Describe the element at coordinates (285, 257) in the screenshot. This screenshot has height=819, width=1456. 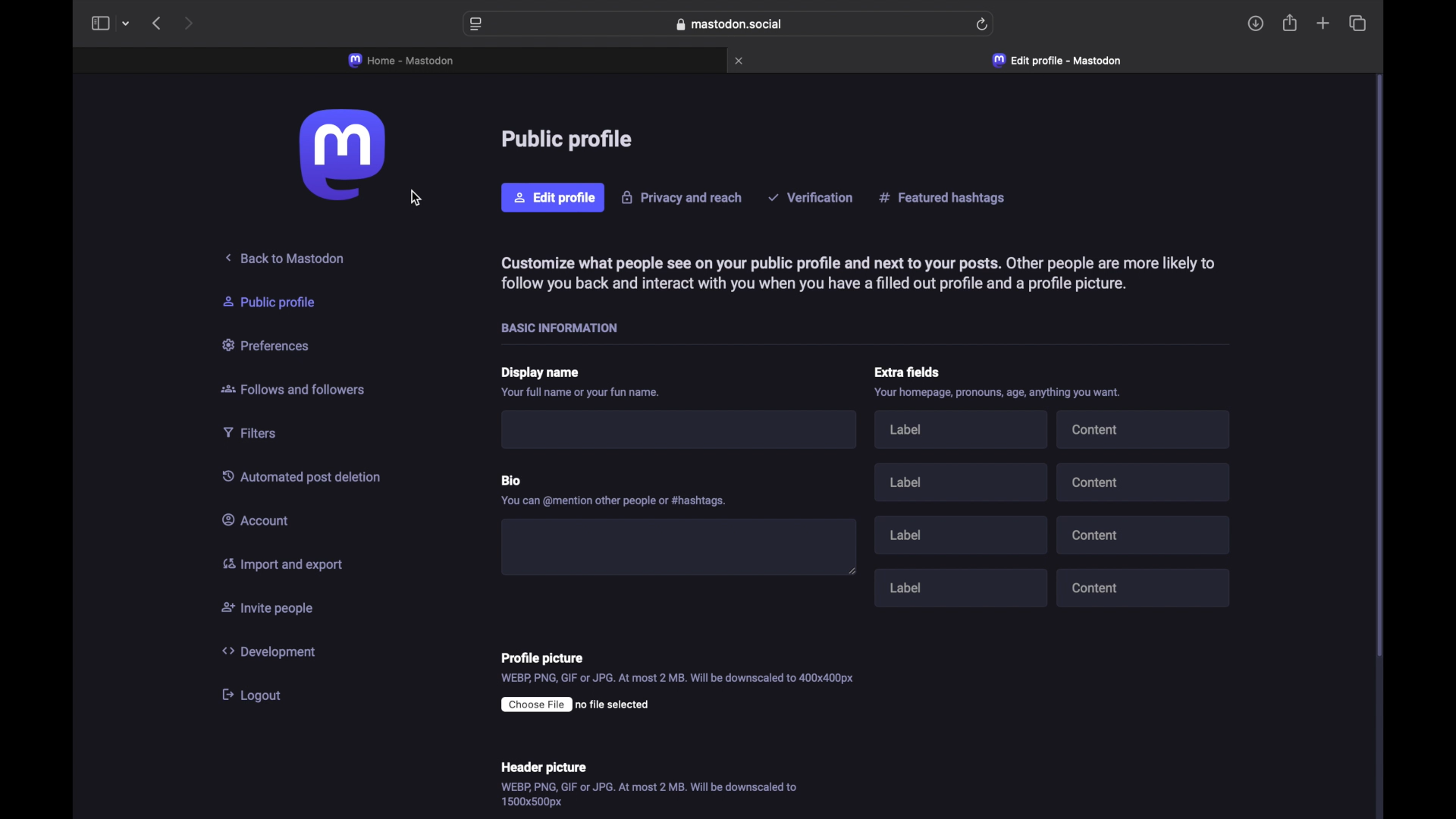
I see `back to mastodon` at that location.